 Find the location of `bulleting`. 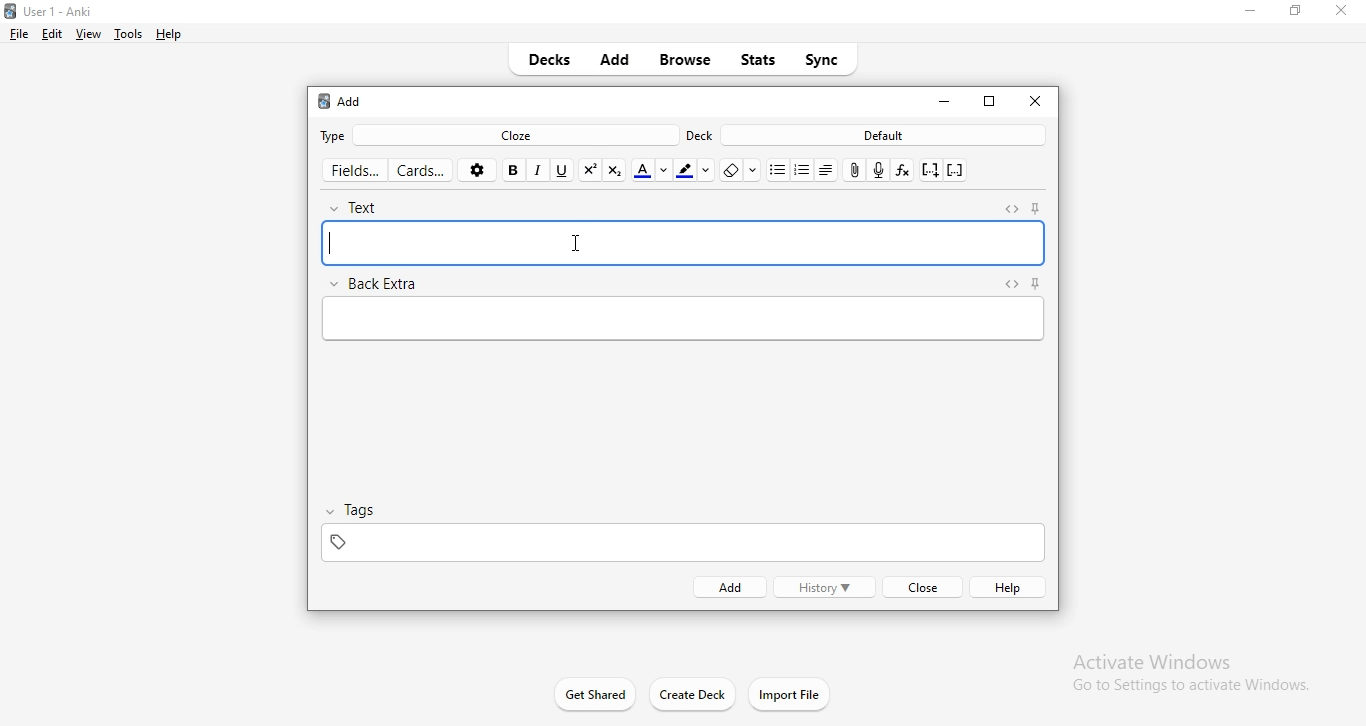

bulleting is located at coordinates (802, 169).